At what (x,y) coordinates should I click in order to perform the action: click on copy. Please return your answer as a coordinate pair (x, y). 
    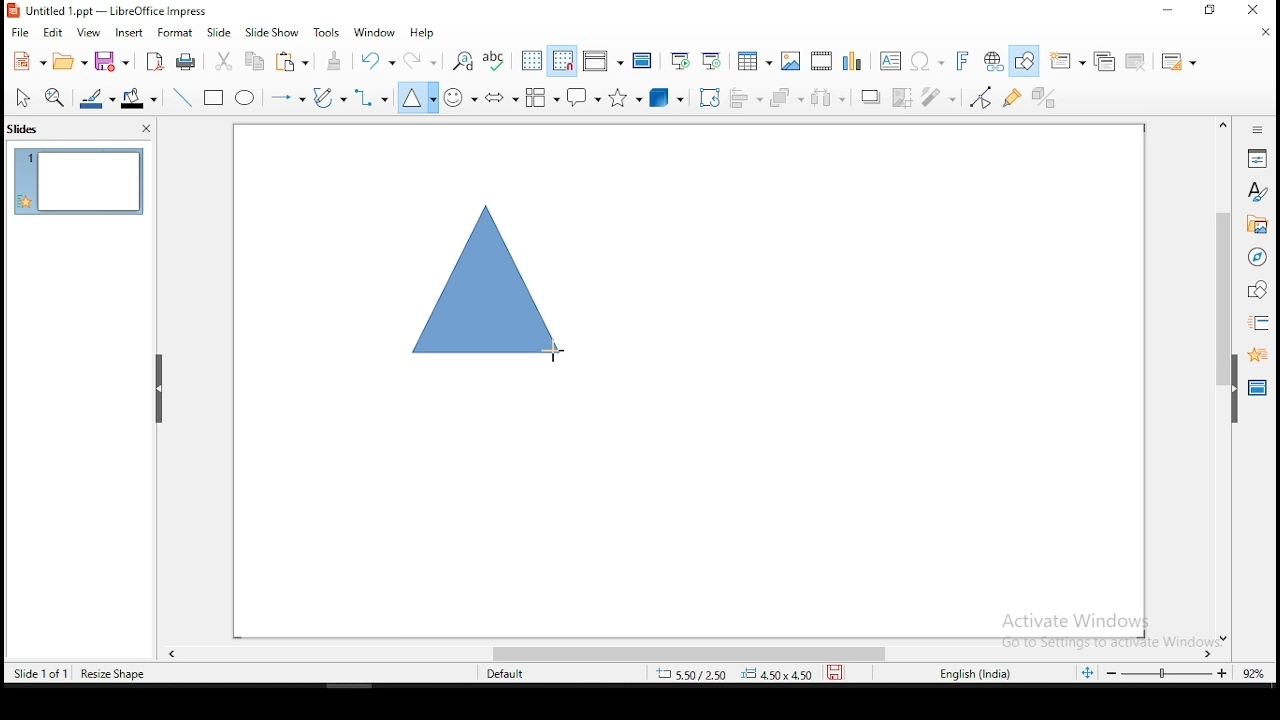
    Looking at the image, I should click on (260, 64).